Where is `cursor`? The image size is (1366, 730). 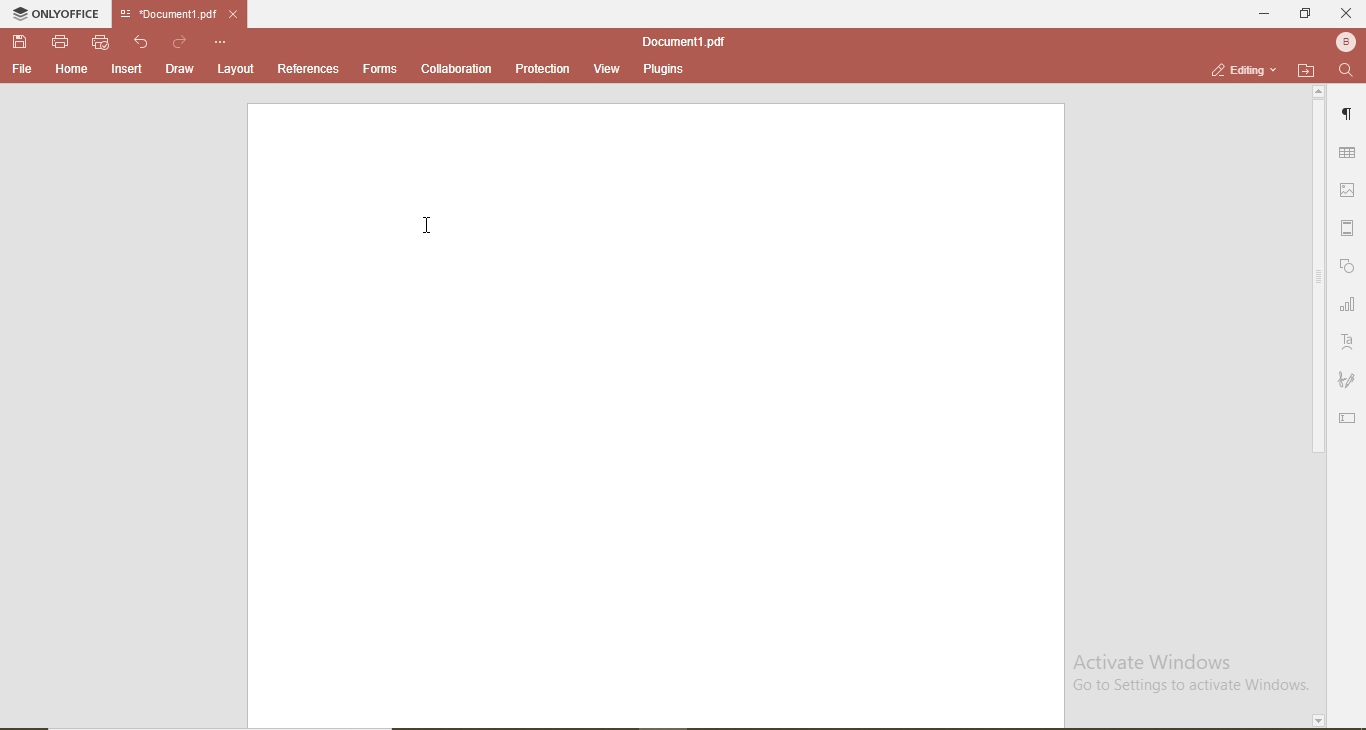 cursor is located at coordinates (430, 225).